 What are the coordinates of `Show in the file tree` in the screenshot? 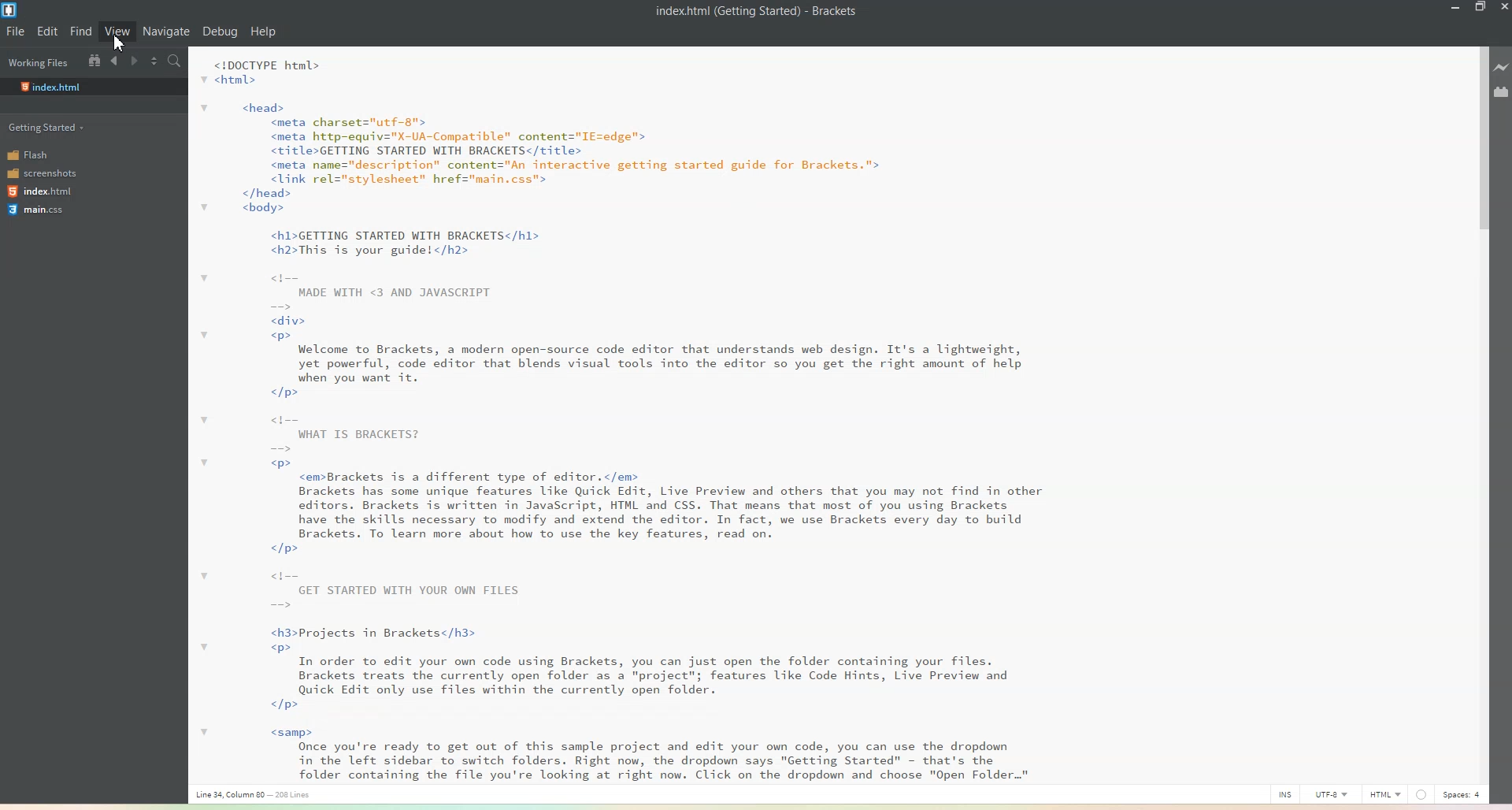 It's located at (94, 60).